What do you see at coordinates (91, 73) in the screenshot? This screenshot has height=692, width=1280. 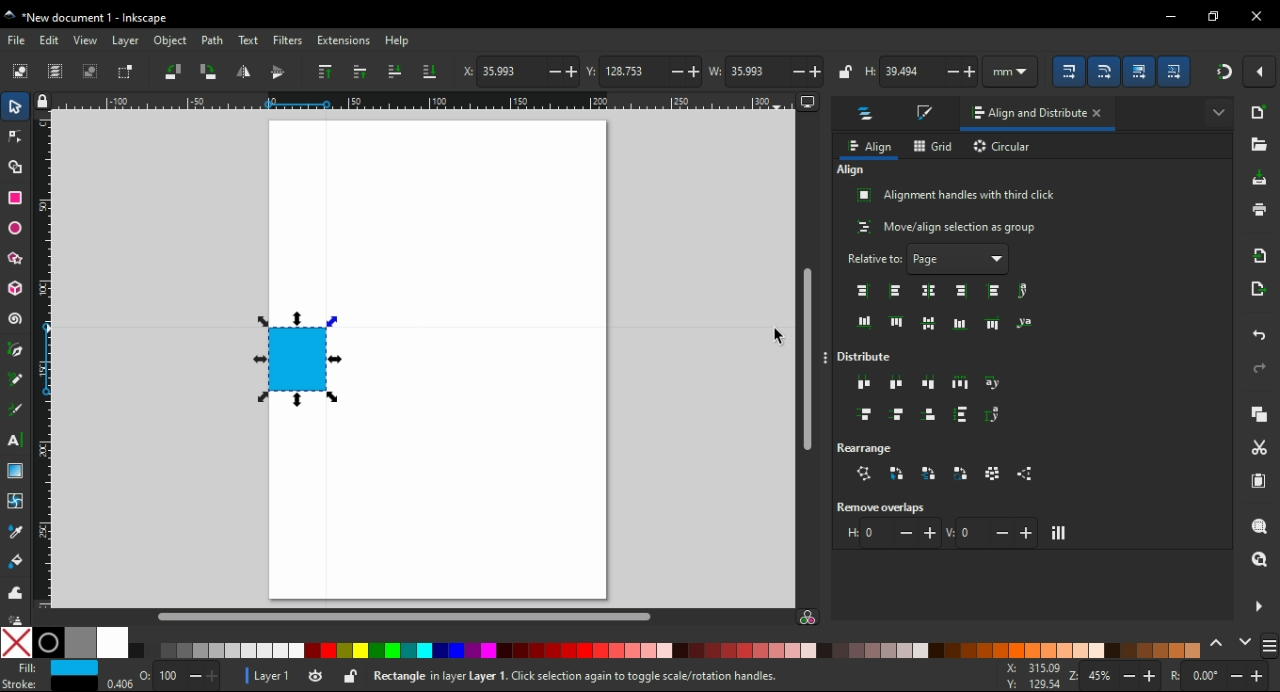 I see `deselect` at bounding box center [91, 73].